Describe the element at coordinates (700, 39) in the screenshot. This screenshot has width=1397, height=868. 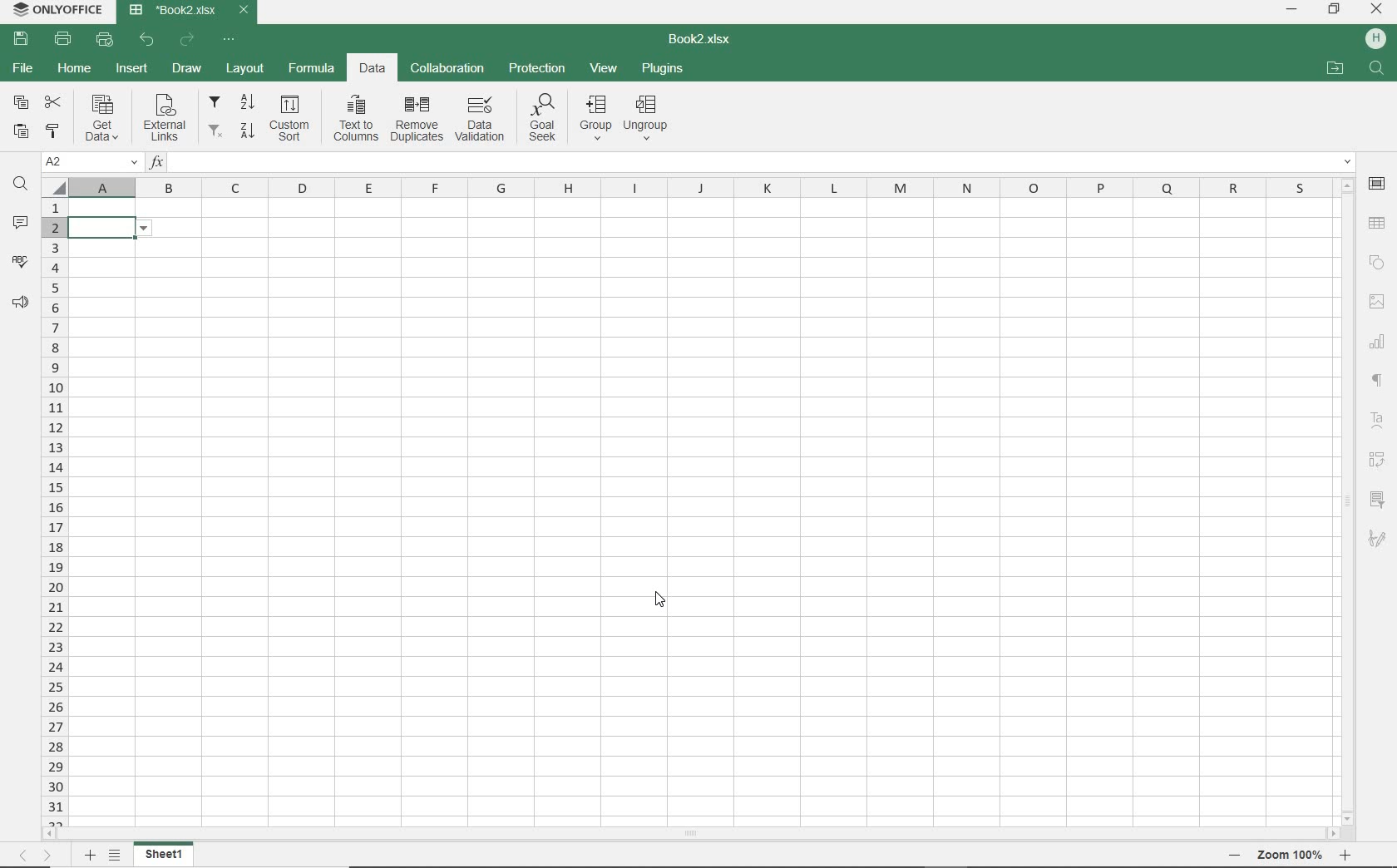
I see `DOCUMENT NAME` at that location.